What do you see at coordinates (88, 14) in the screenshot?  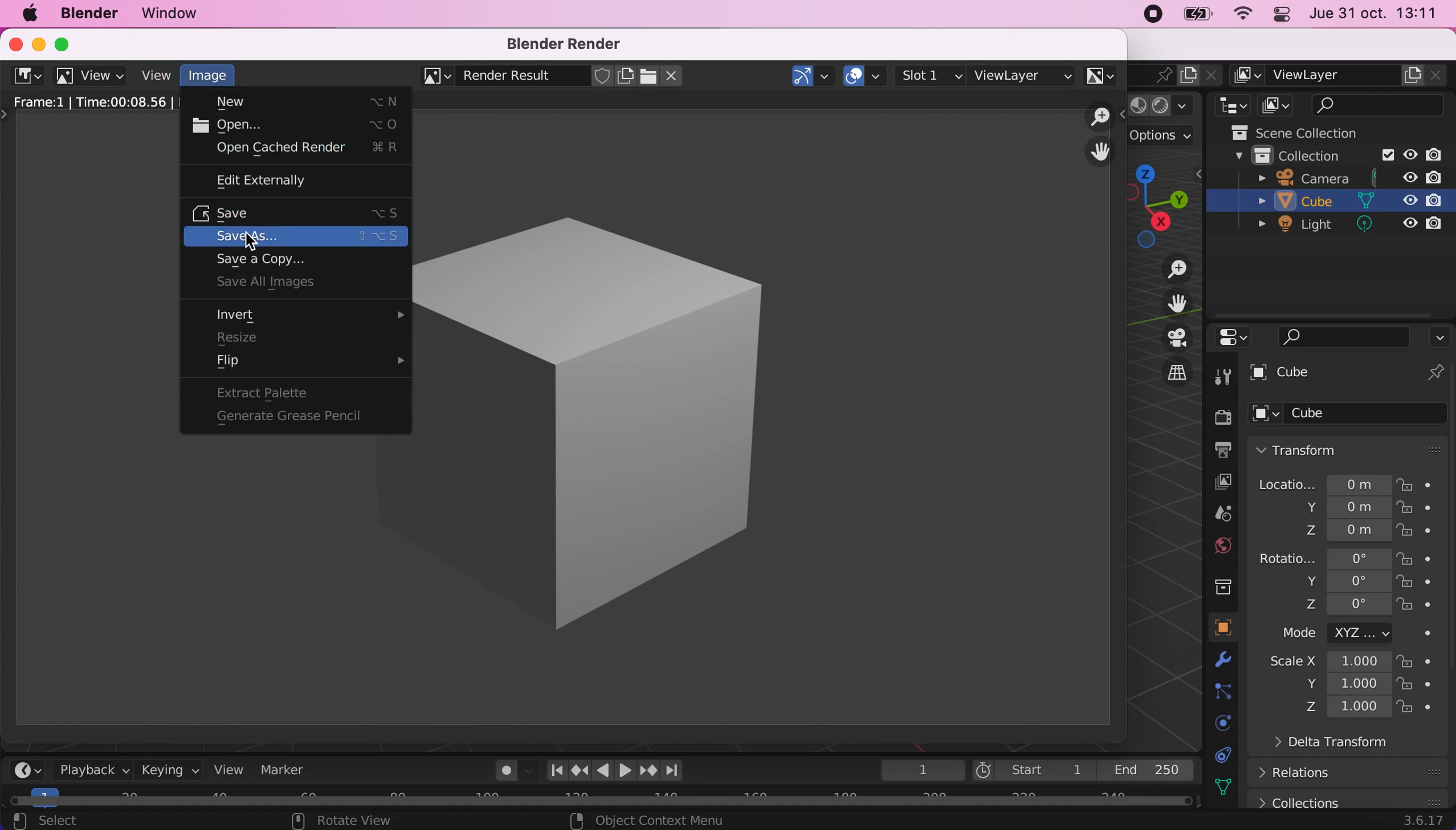 I see `blender` at bounding box center [88, 14].